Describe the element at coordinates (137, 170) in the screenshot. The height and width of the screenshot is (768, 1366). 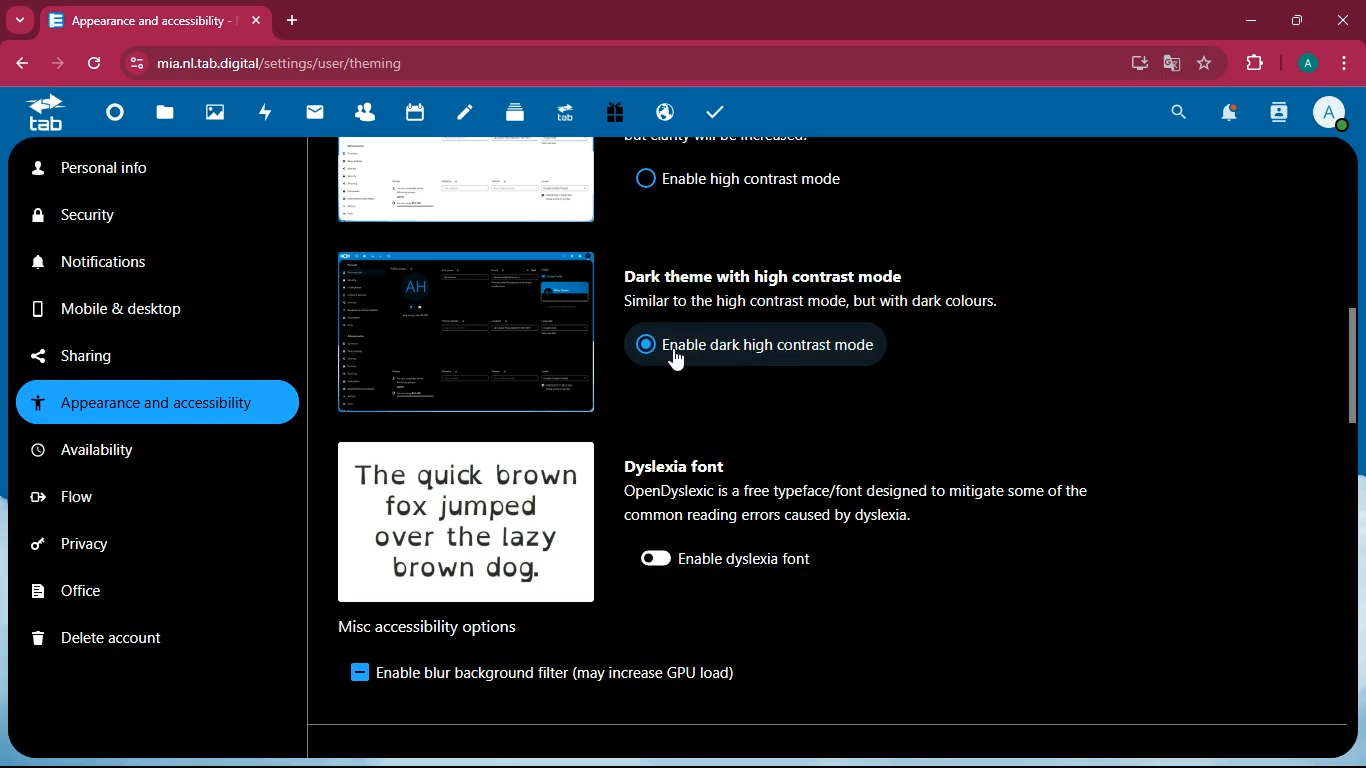
I see `personal info` at that location.